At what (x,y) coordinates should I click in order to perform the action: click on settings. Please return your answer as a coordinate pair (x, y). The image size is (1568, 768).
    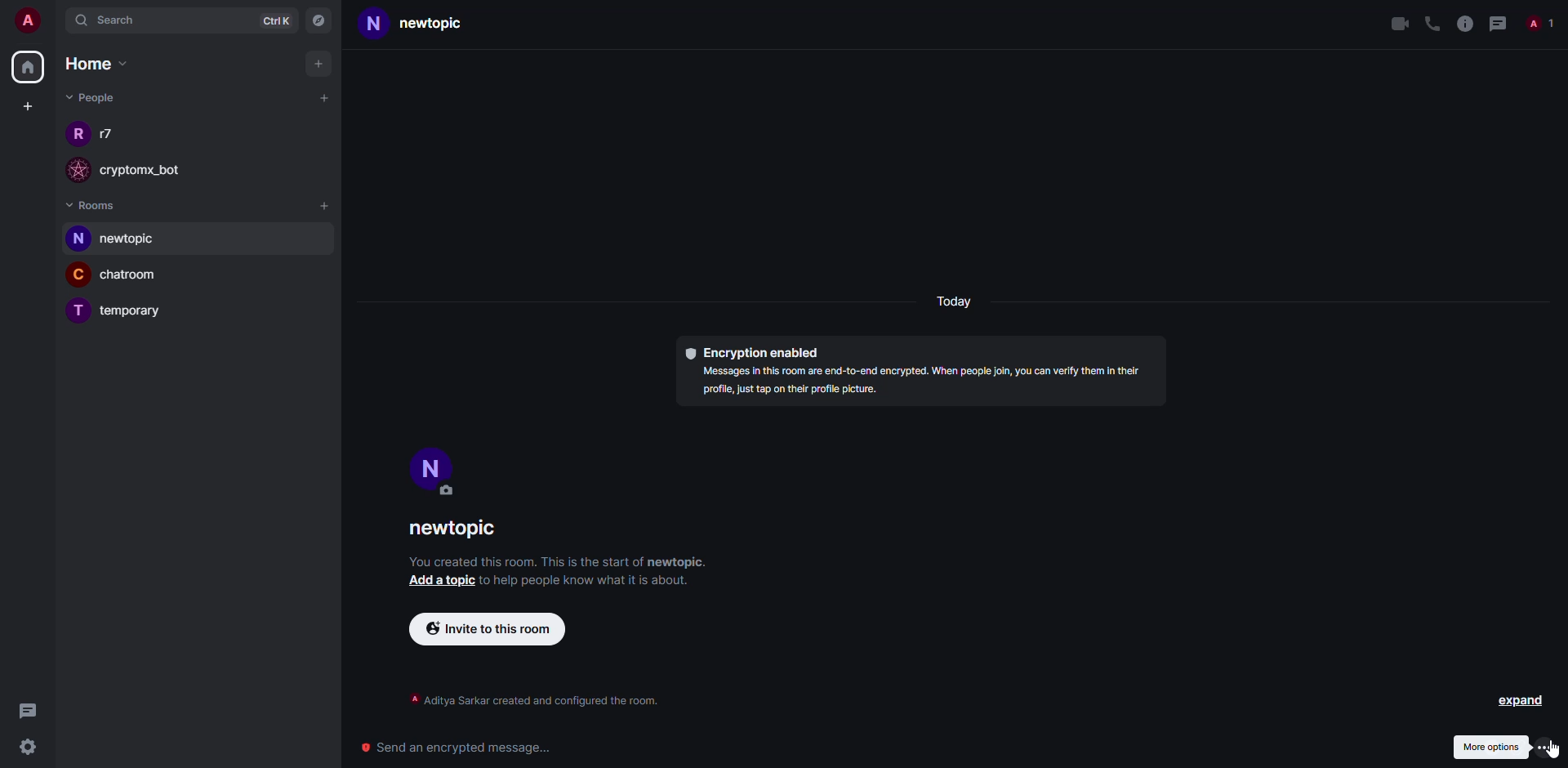
    Looking at the image, I should click on (32, 748).